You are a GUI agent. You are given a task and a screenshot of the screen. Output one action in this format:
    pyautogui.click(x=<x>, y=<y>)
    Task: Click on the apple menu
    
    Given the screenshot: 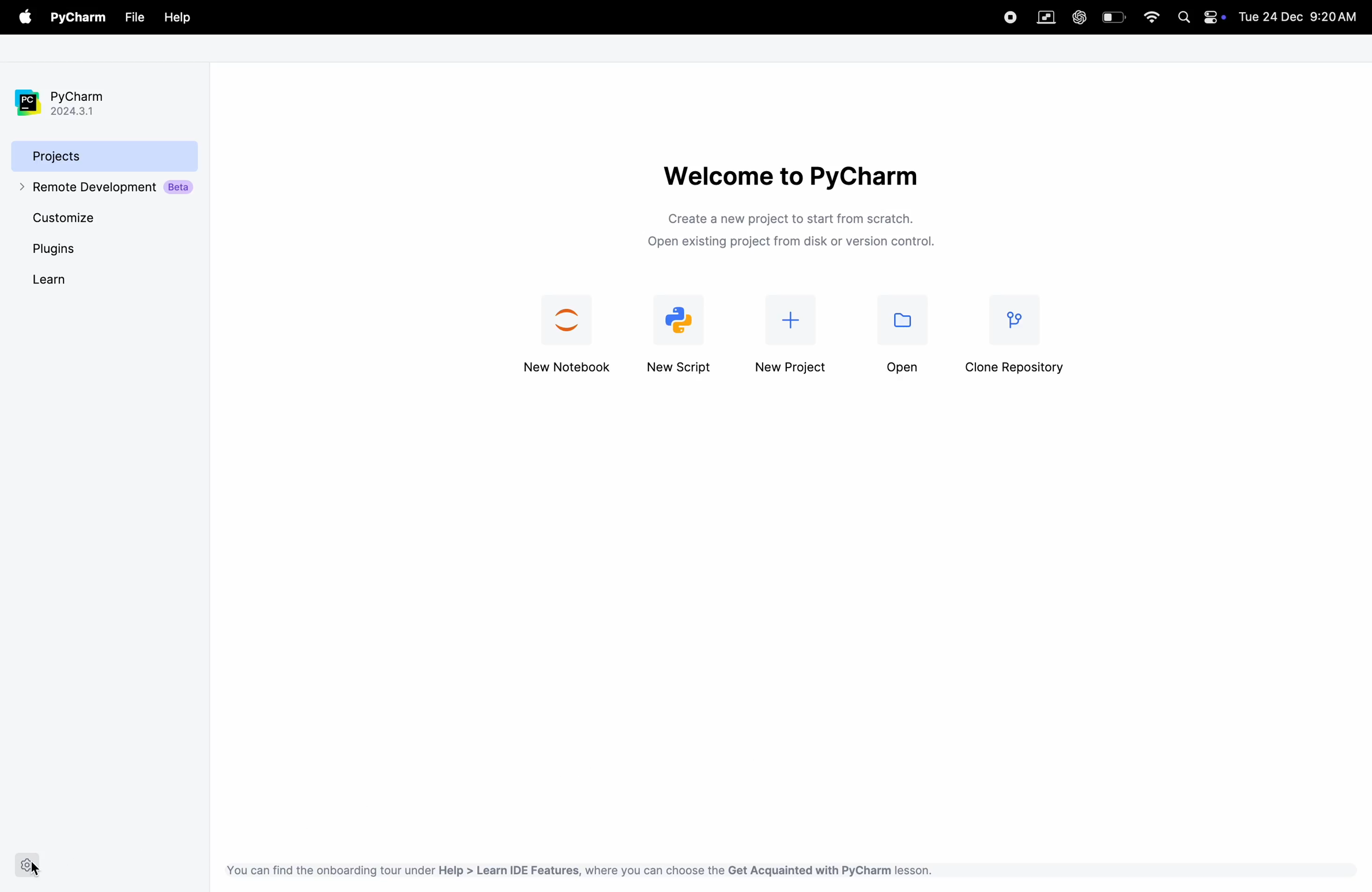 What is the action you would take?
    pyautogui.click(x=27, y=18)
    